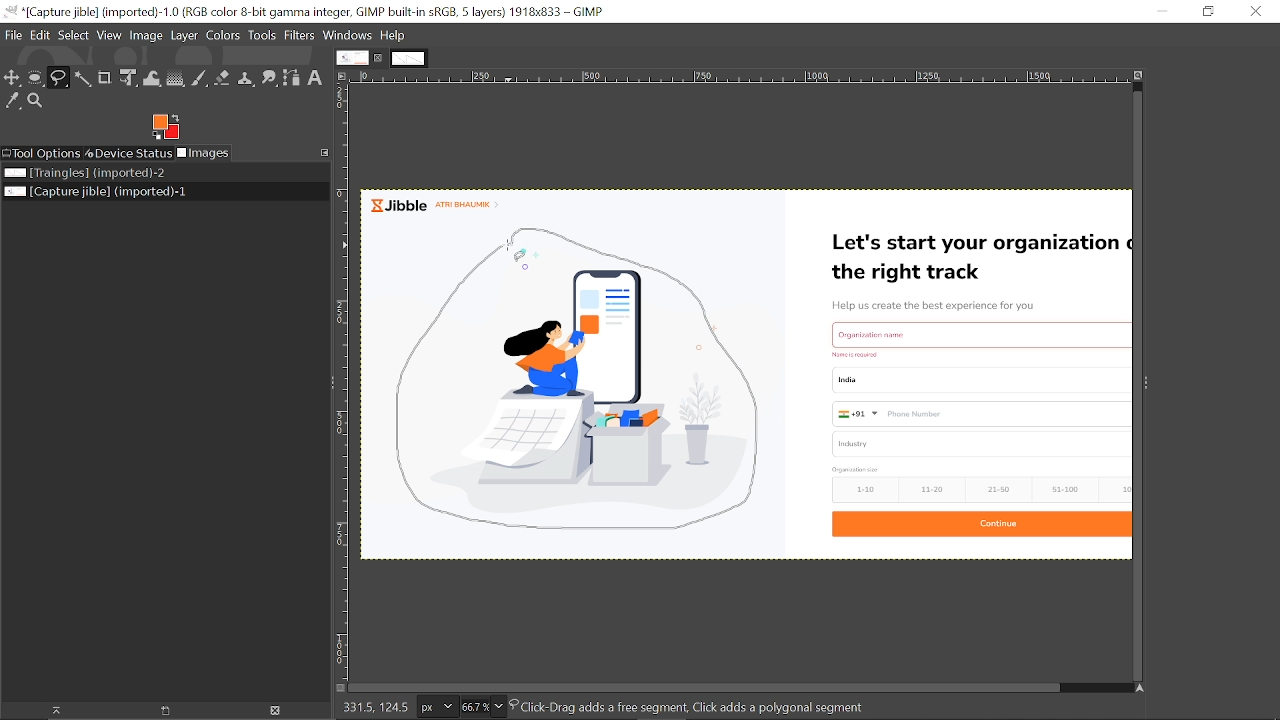  Describe the element at coordinates (223, 38) in the screenshot. I see `Colors` at that location.